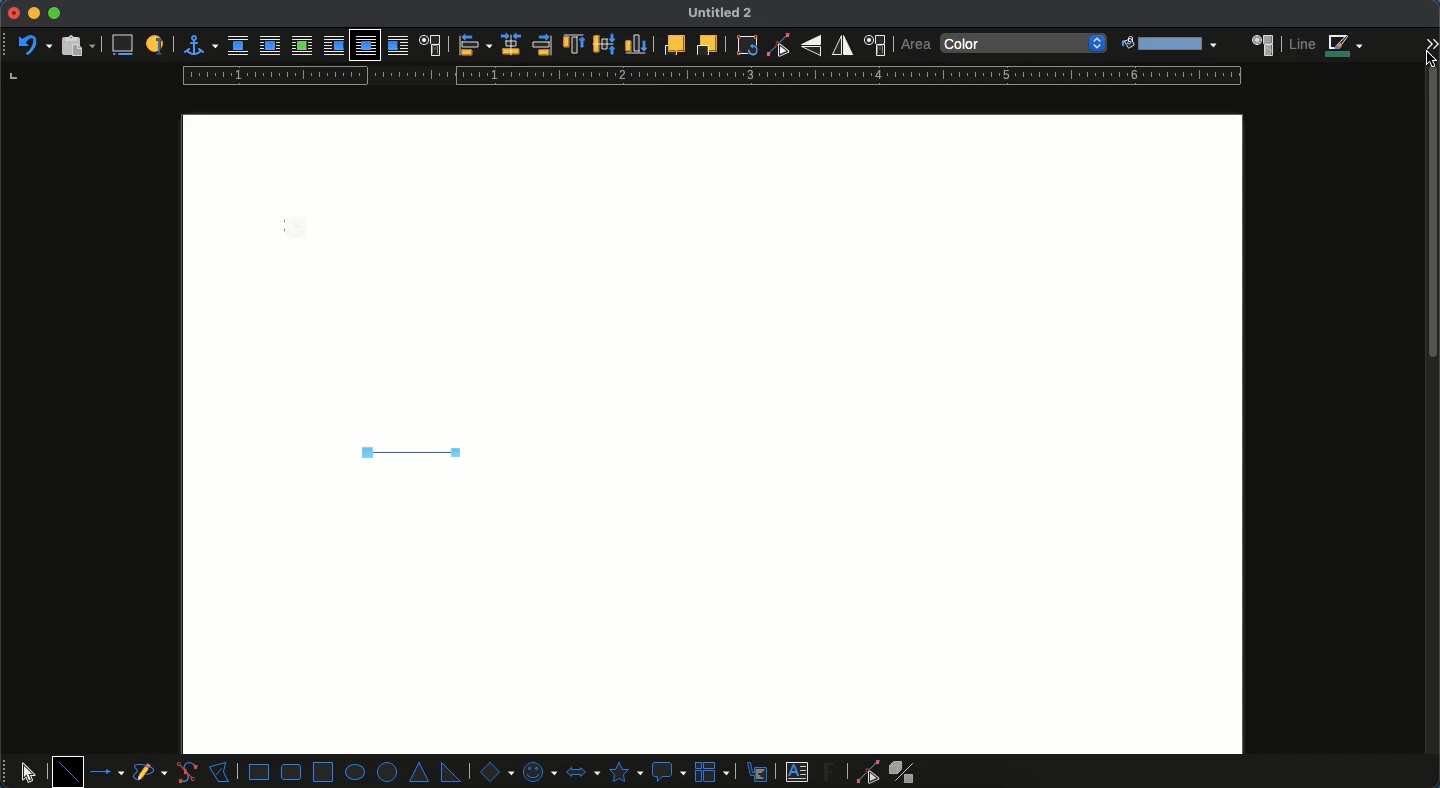 The image size is (1440, 788). I want to click on polygon, so click(220, 770).